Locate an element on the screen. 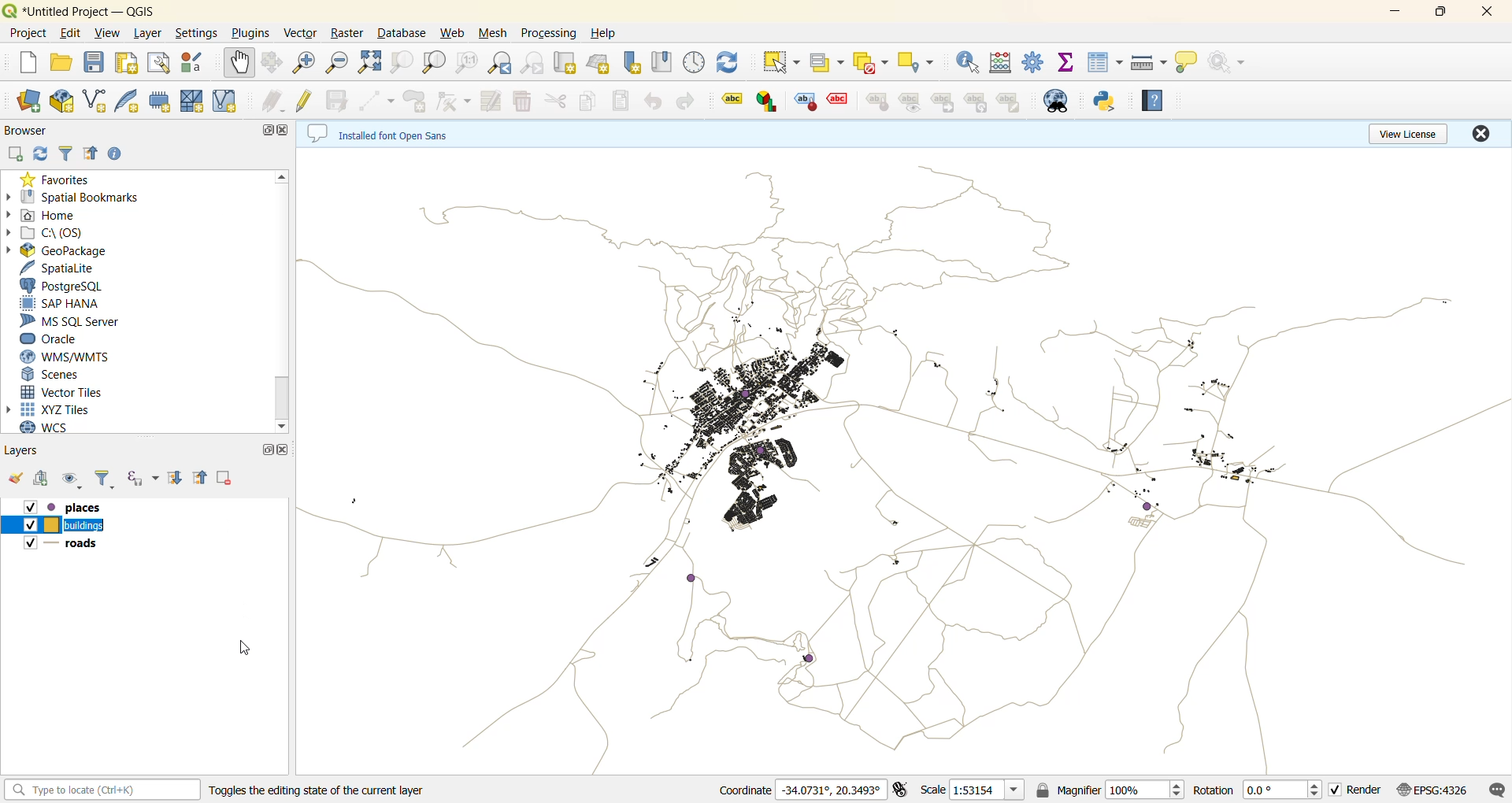 Image resolution: width=1512 pixels, height=803 pixels. project is located at coordinates (26, 32).